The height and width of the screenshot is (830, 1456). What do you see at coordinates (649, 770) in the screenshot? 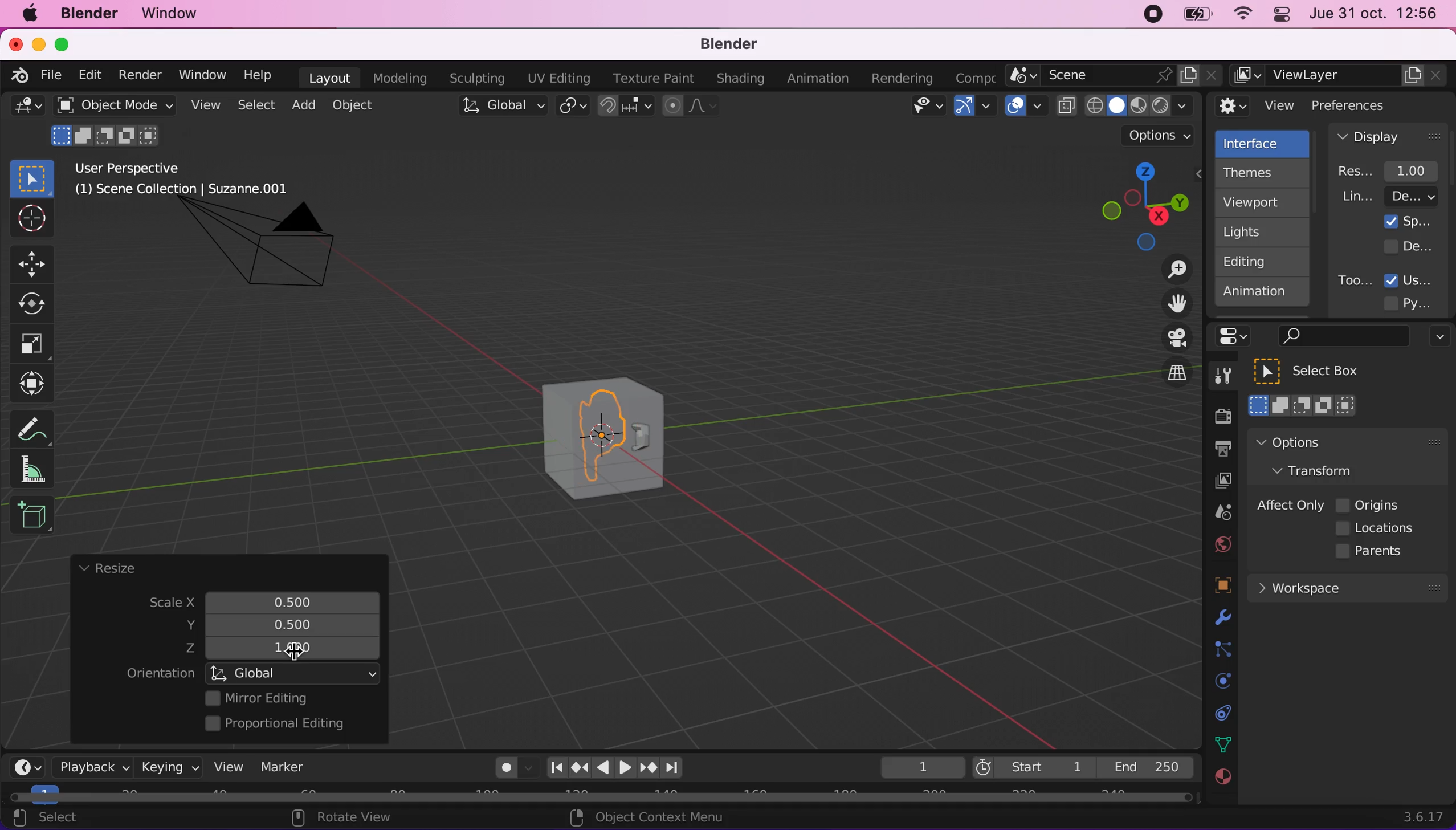
I see `jump to keyframe` at bounding box center [649, 770].